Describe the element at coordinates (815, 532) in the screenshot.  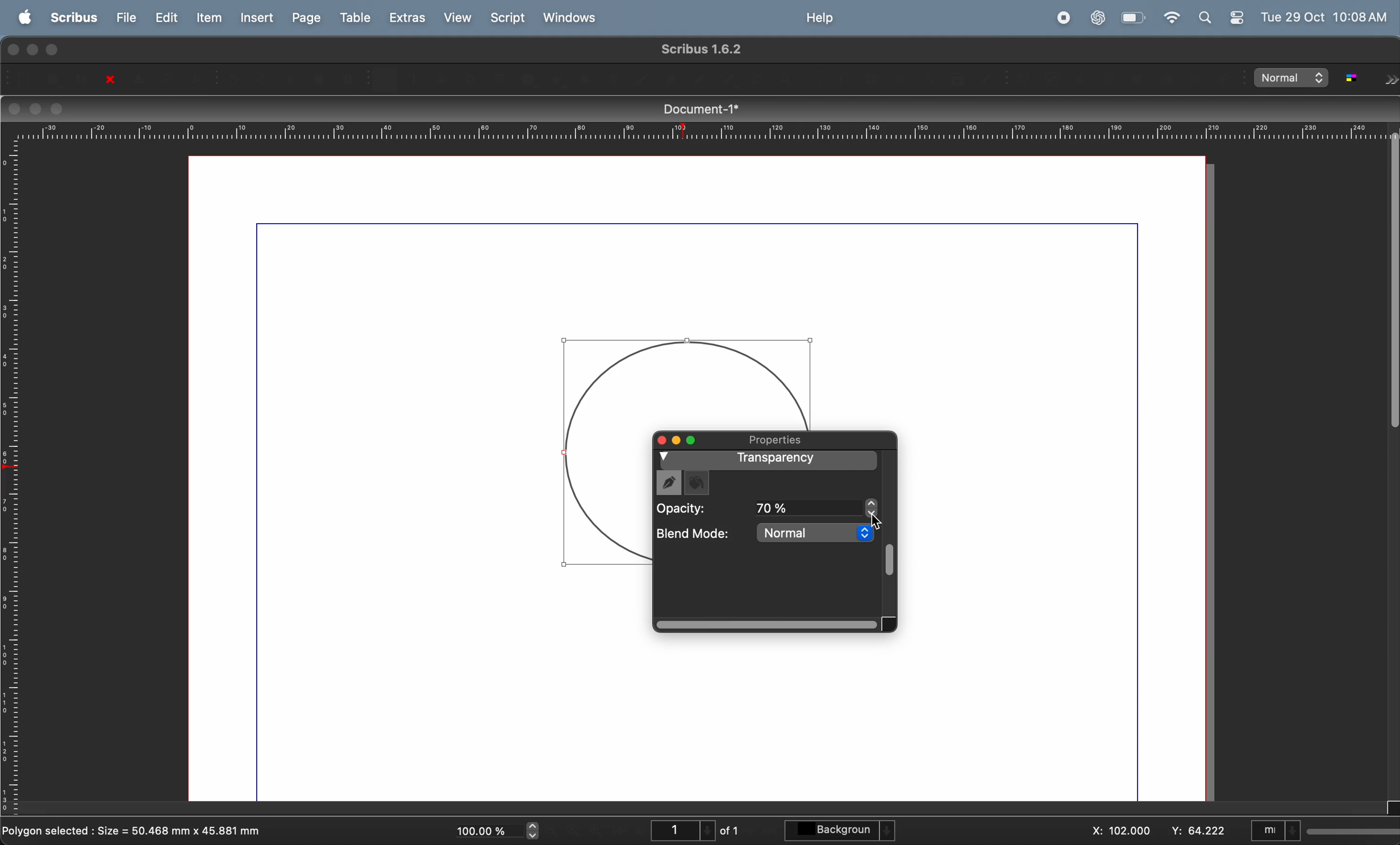
I see `normal` at that location.